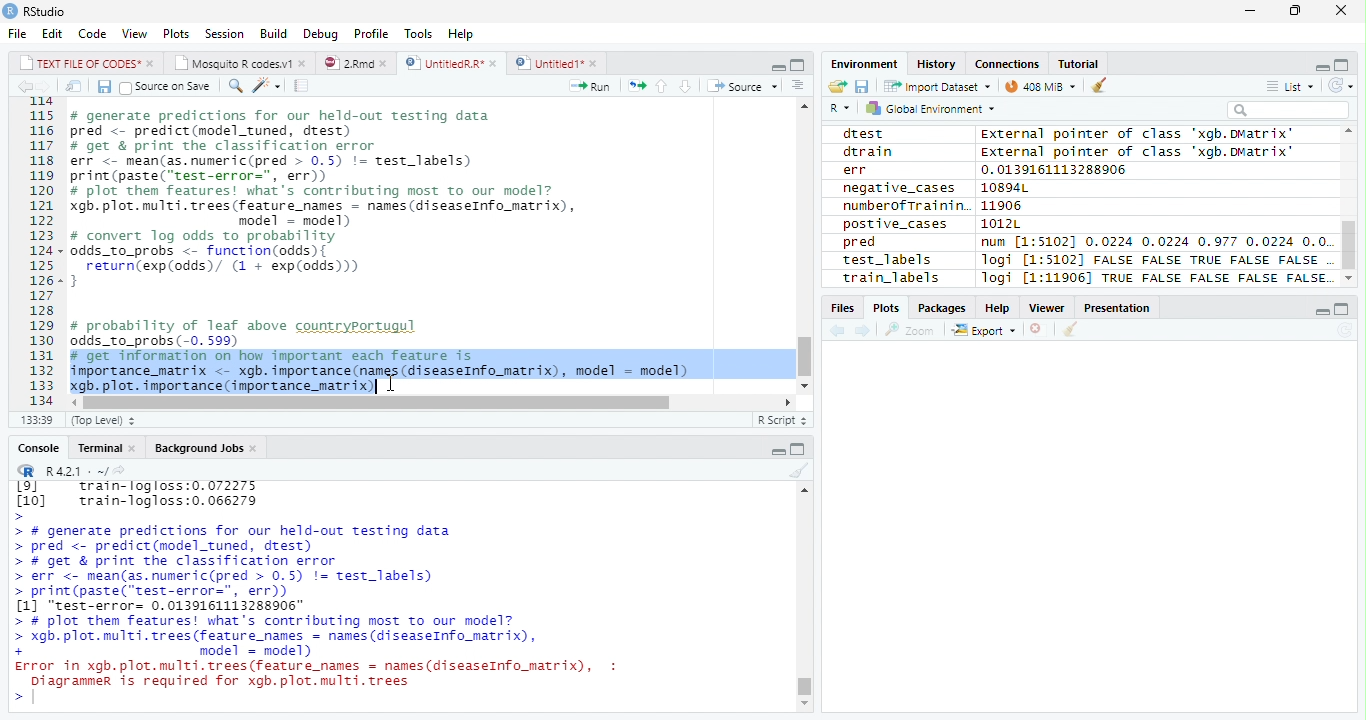  What do you see at coordinates (35, 253) in the screenshot?
I see `Row Number` at bounding box center [35, 253].